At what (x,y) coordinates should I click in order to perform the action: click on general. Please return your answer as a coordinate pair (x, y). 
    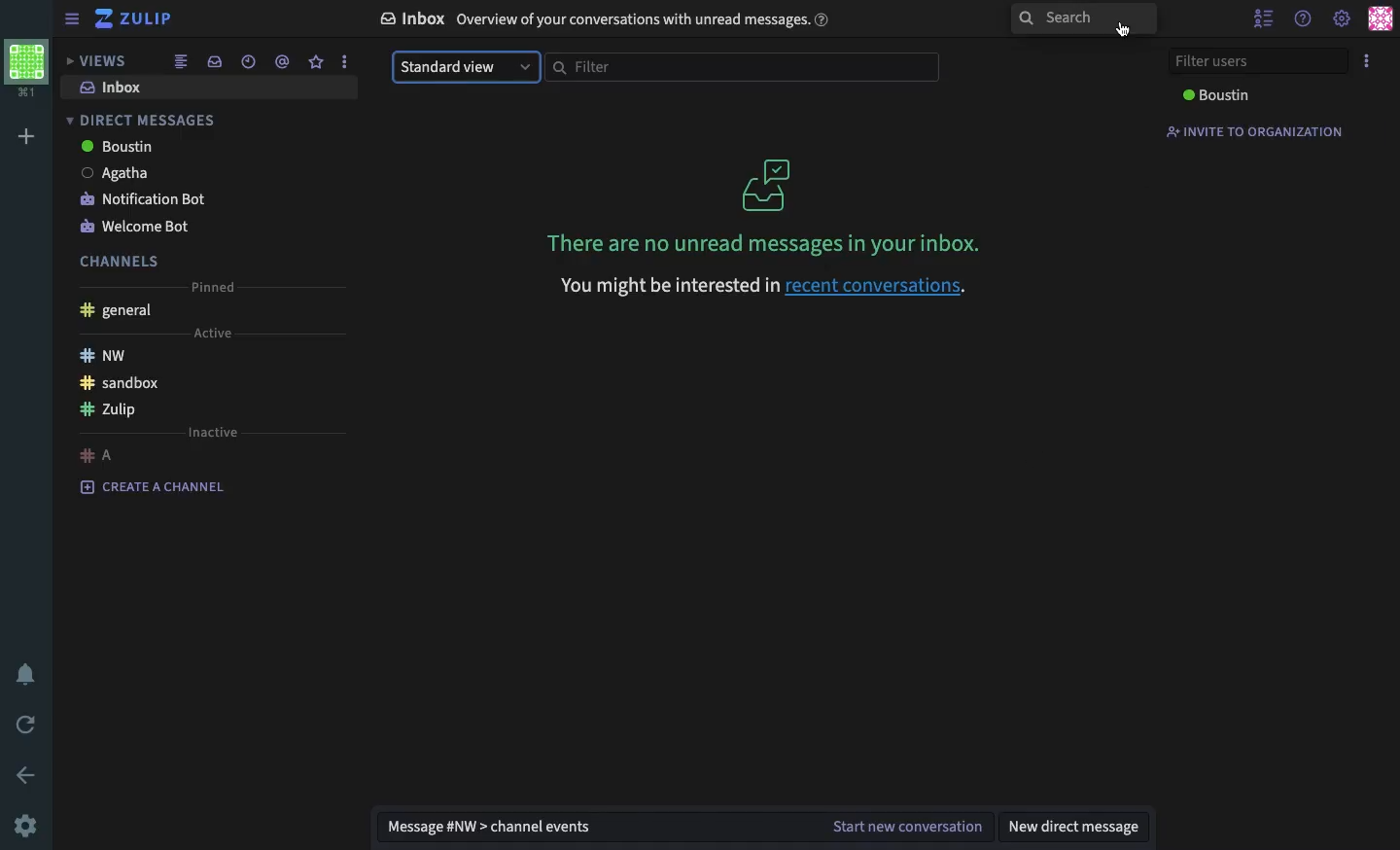
    Looking at the image, I should click on (119, 310).